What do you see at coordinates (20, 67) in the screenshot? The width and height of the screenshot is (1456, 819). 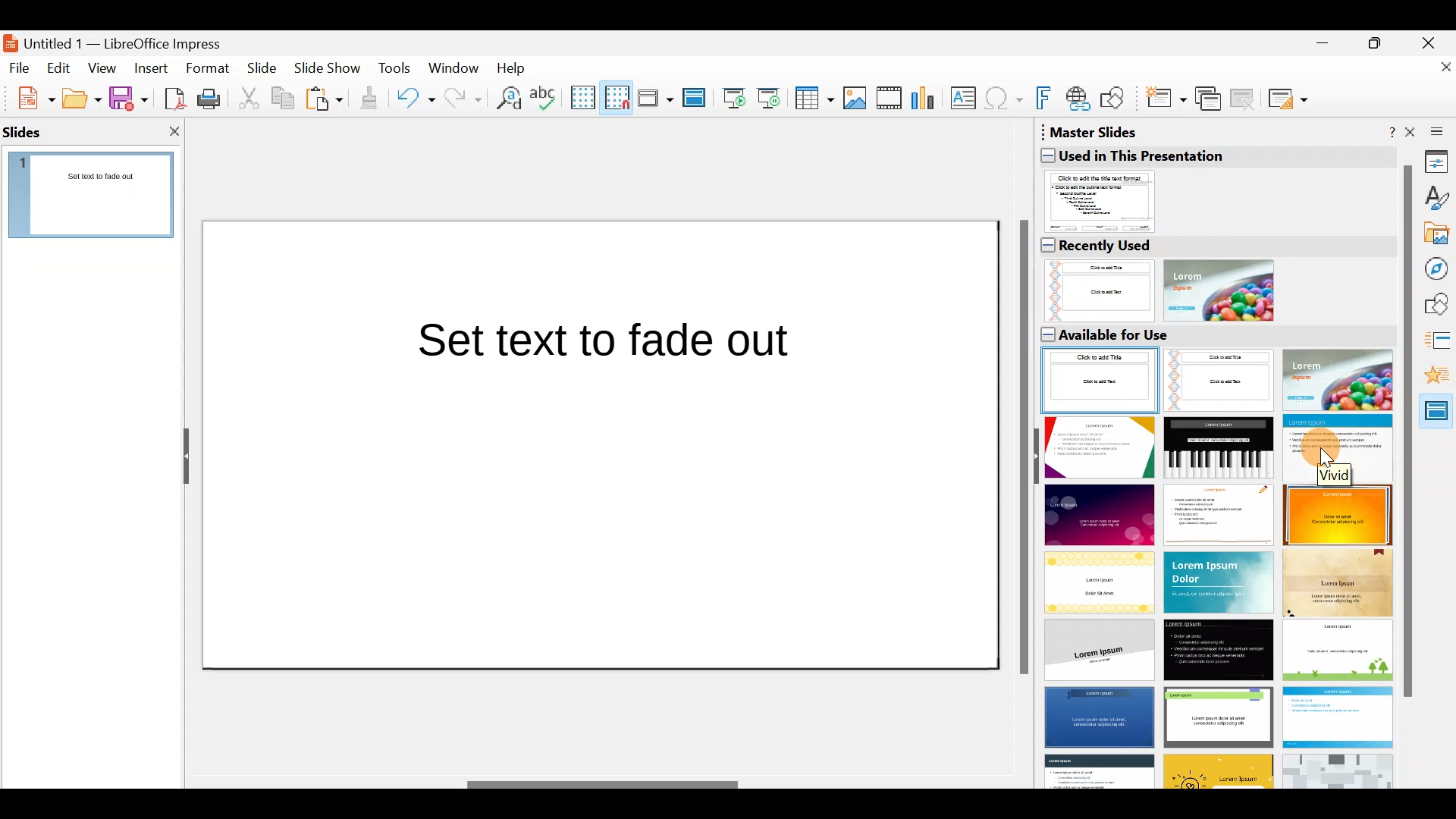 I see `File` at bounding box center [20, 67].